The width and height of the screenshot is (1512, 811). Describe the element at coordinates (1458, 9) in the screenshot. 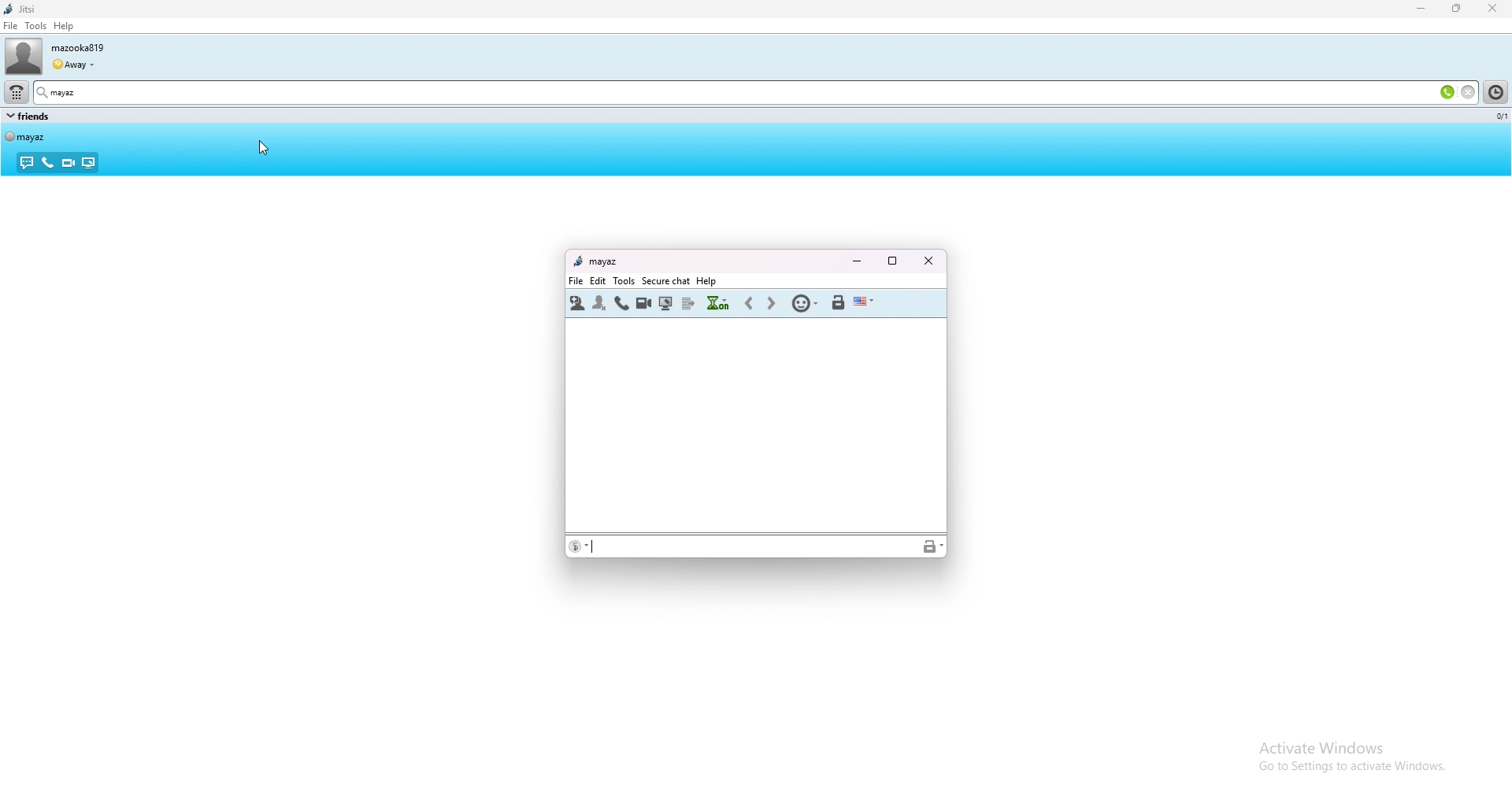

I see `resize` at that location.